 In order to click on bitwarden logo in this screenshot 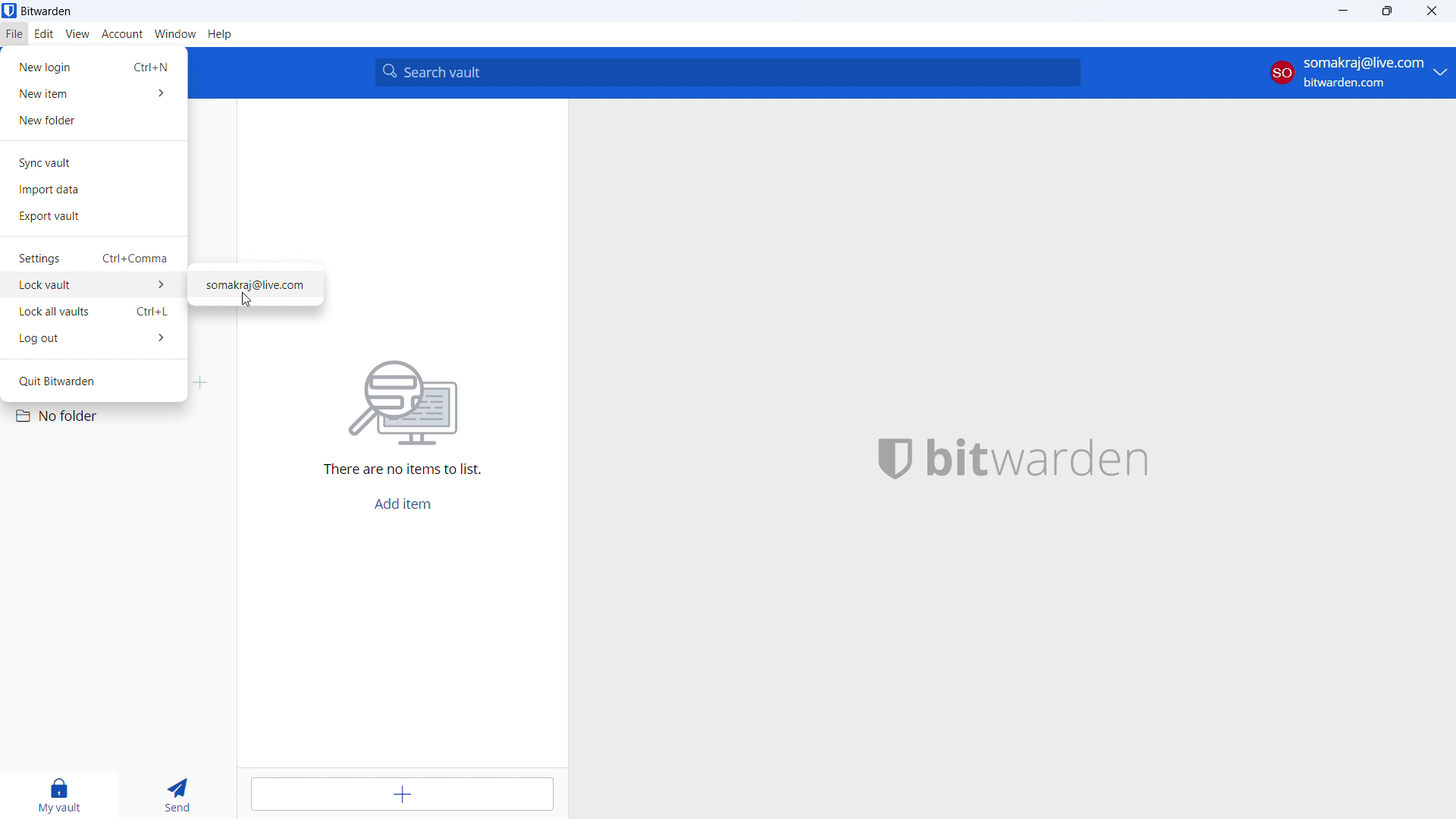, I will do `click(889, 457)`.